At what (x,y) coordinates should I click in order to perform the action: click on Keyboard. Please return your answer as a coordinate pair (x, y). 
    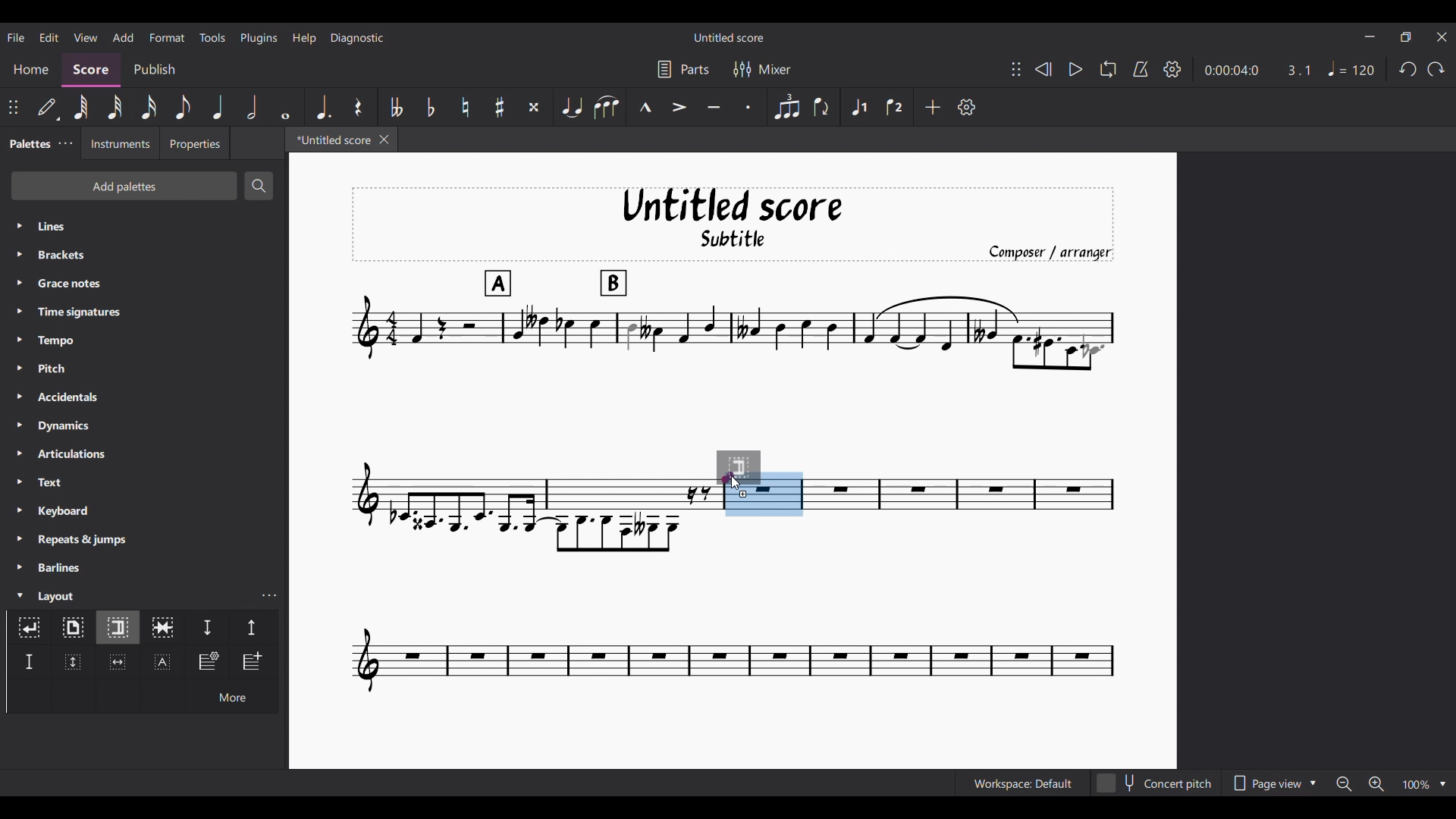
    Looking at the image, I should click on (145, 510).